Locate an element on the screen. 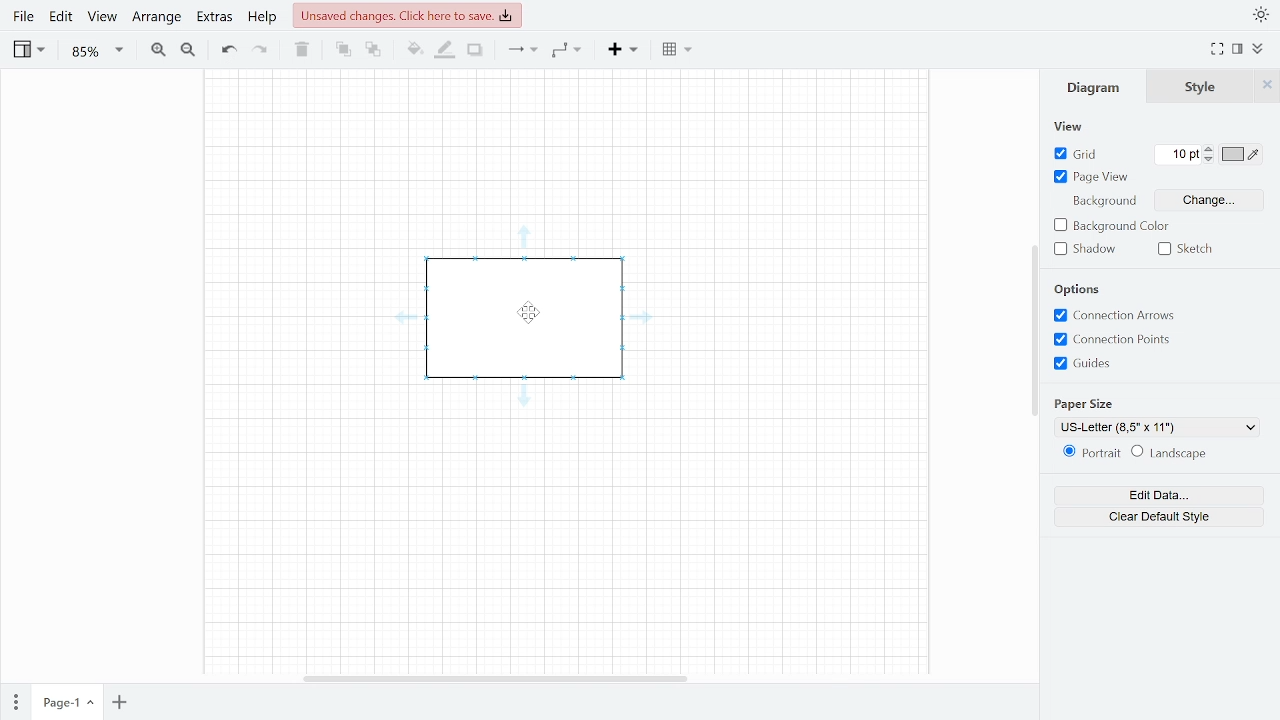 This screenshot has height=720, width=1280. File is located at coordinates (24, 19).